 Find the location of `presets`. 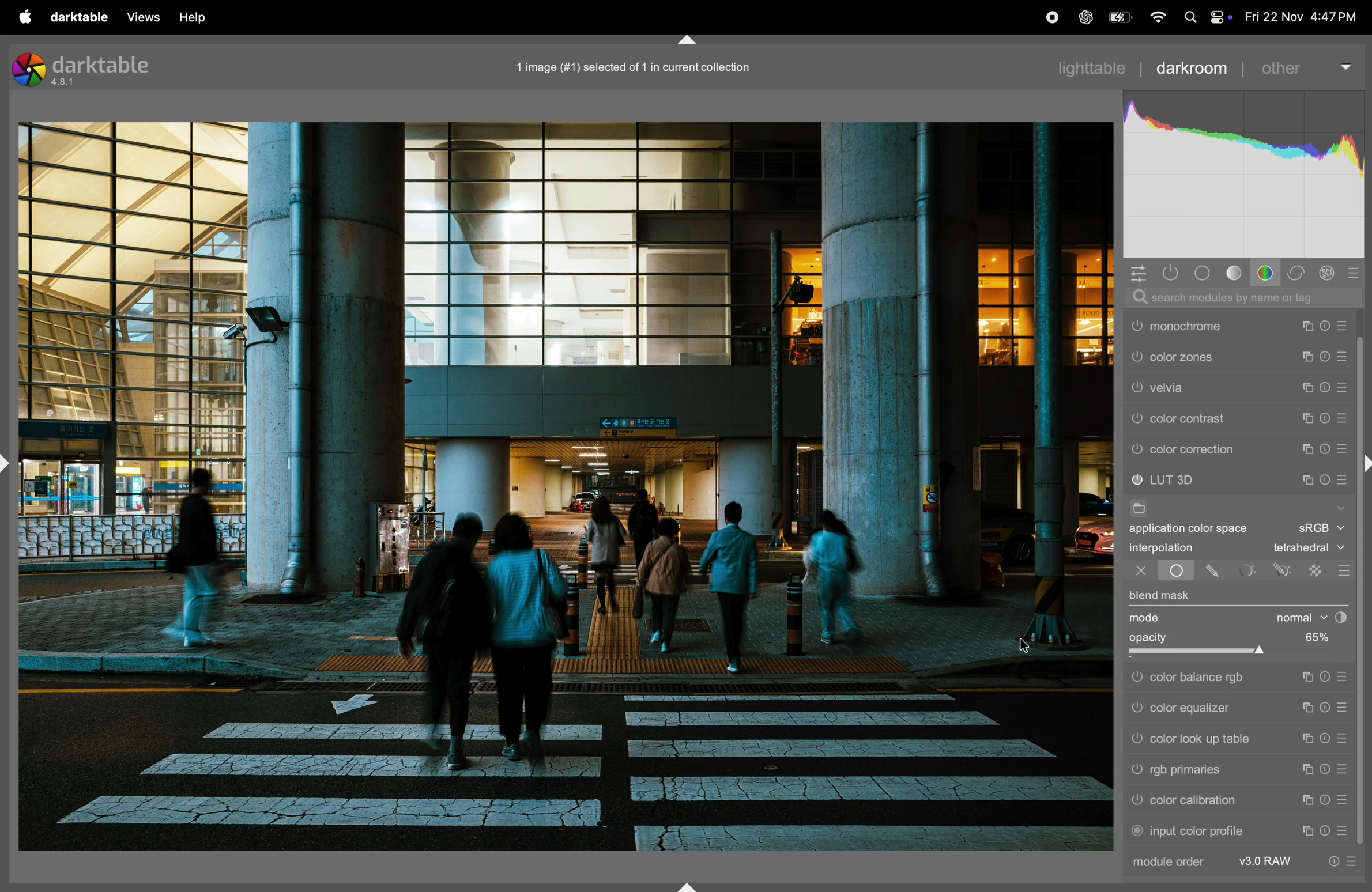

presets is located at coordinates (1341, 738).